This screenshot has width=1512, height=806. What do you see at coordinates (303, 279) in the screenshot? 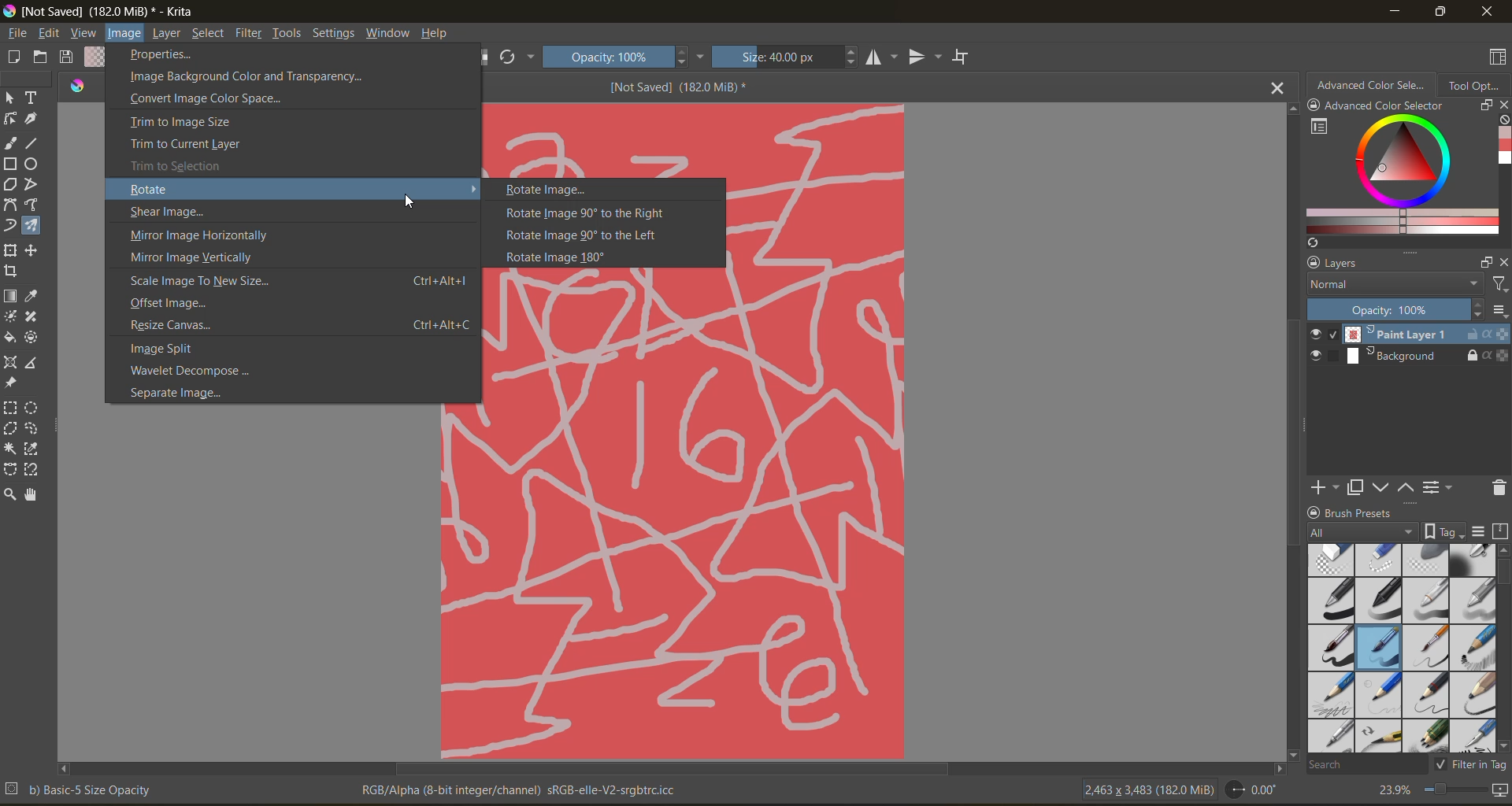
I see `scale image to new size` at bounding box center [303, 279].